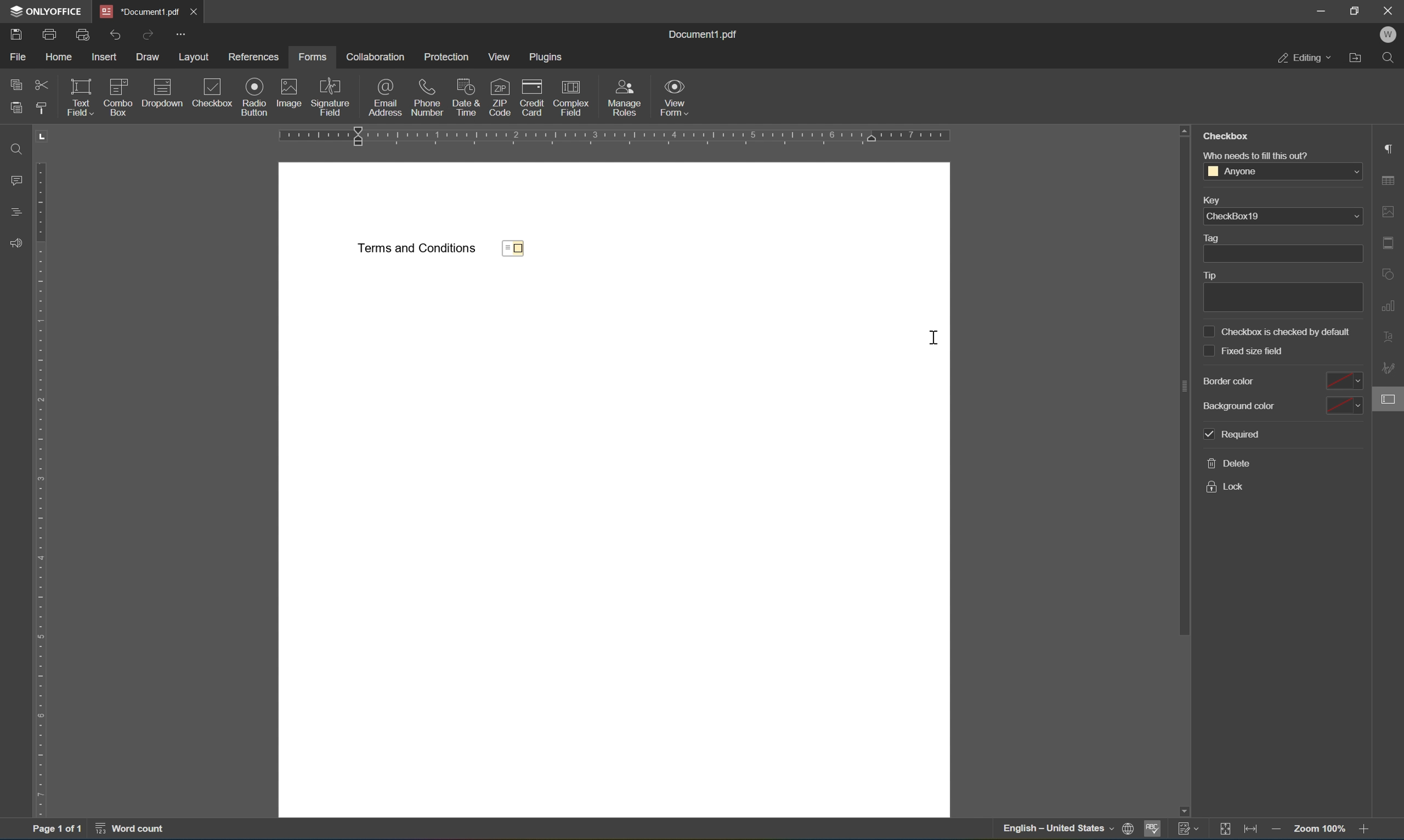 The width and height of the screenshot is (1404, 840). What do you see at coordinates (1389, 308) in the screenshot?
I see `chart settings` at bounding box center [1389, 308].